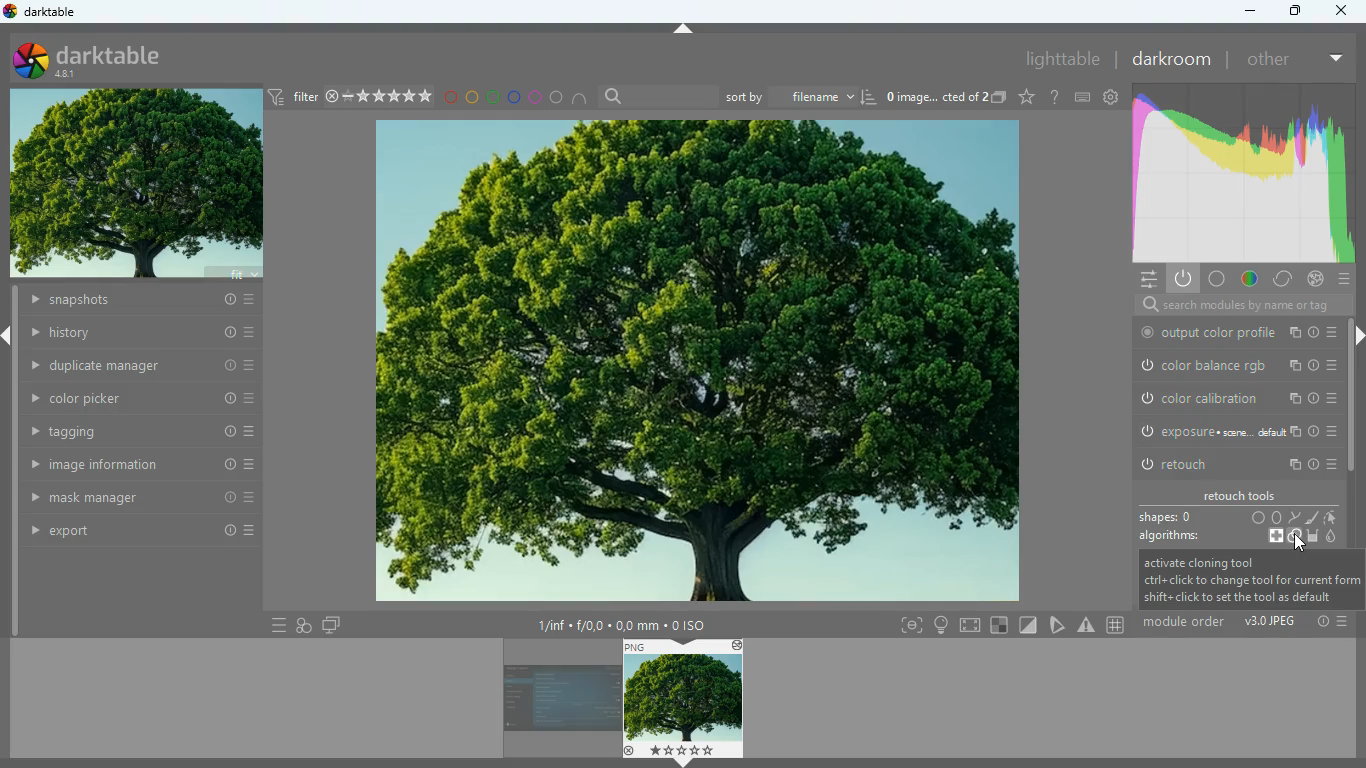  I want to click on keyboard, so click(1082, 99).